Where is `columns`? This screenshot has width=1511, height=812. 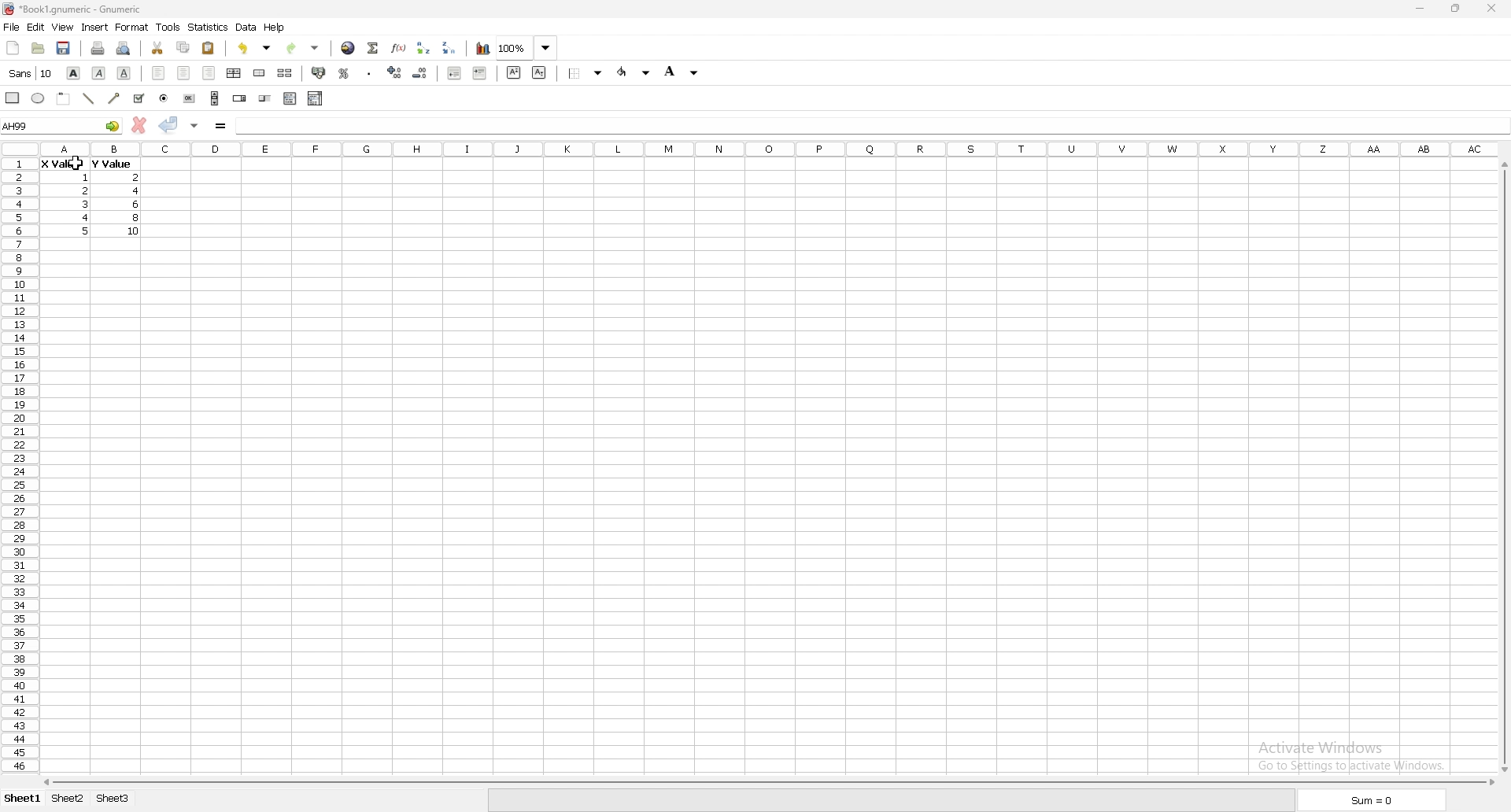
columns is located at coordinates (771, 148).